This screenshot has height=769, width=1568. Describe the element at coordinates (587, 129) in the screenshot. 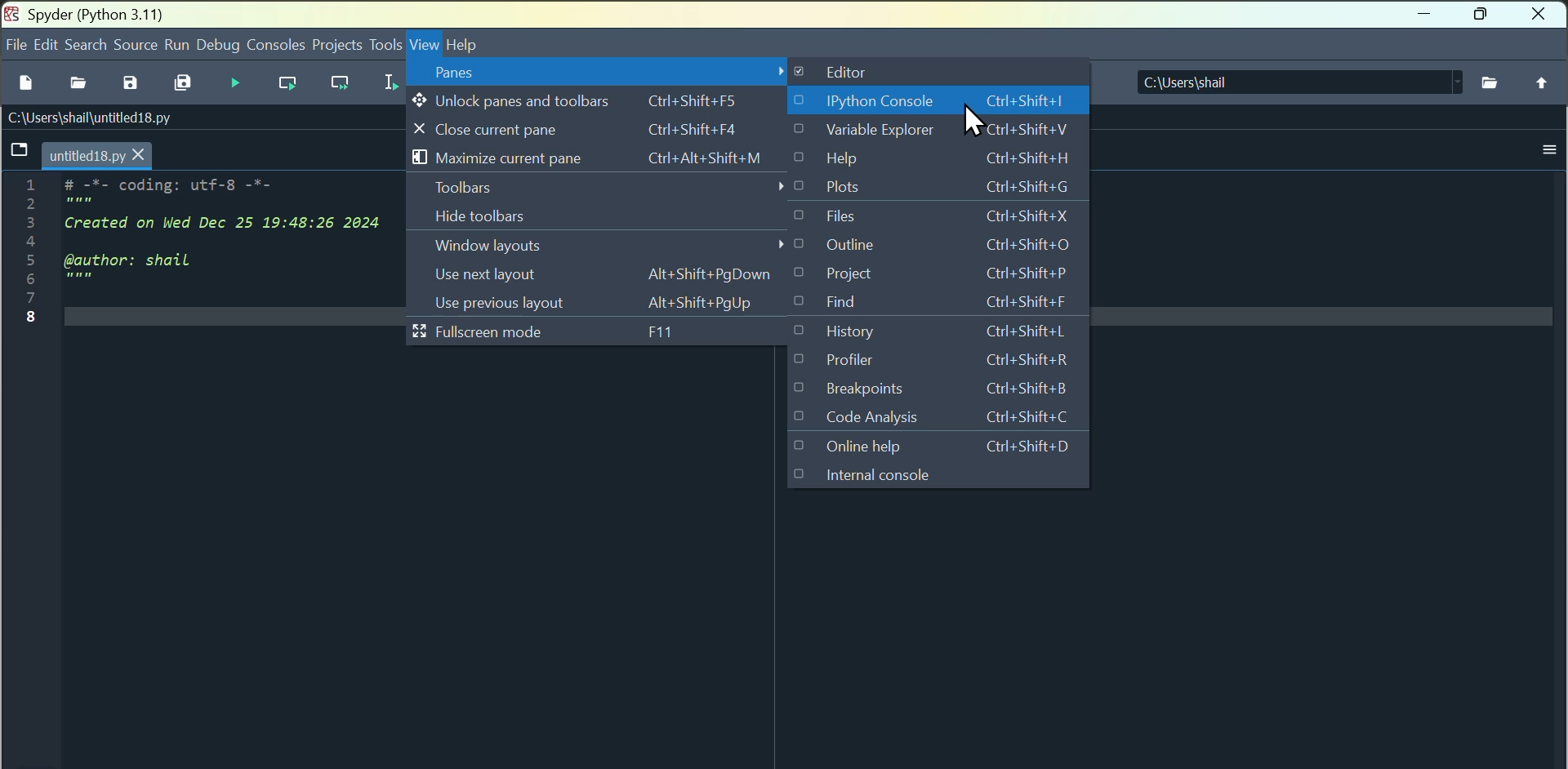

I see `close current panes` at that location.